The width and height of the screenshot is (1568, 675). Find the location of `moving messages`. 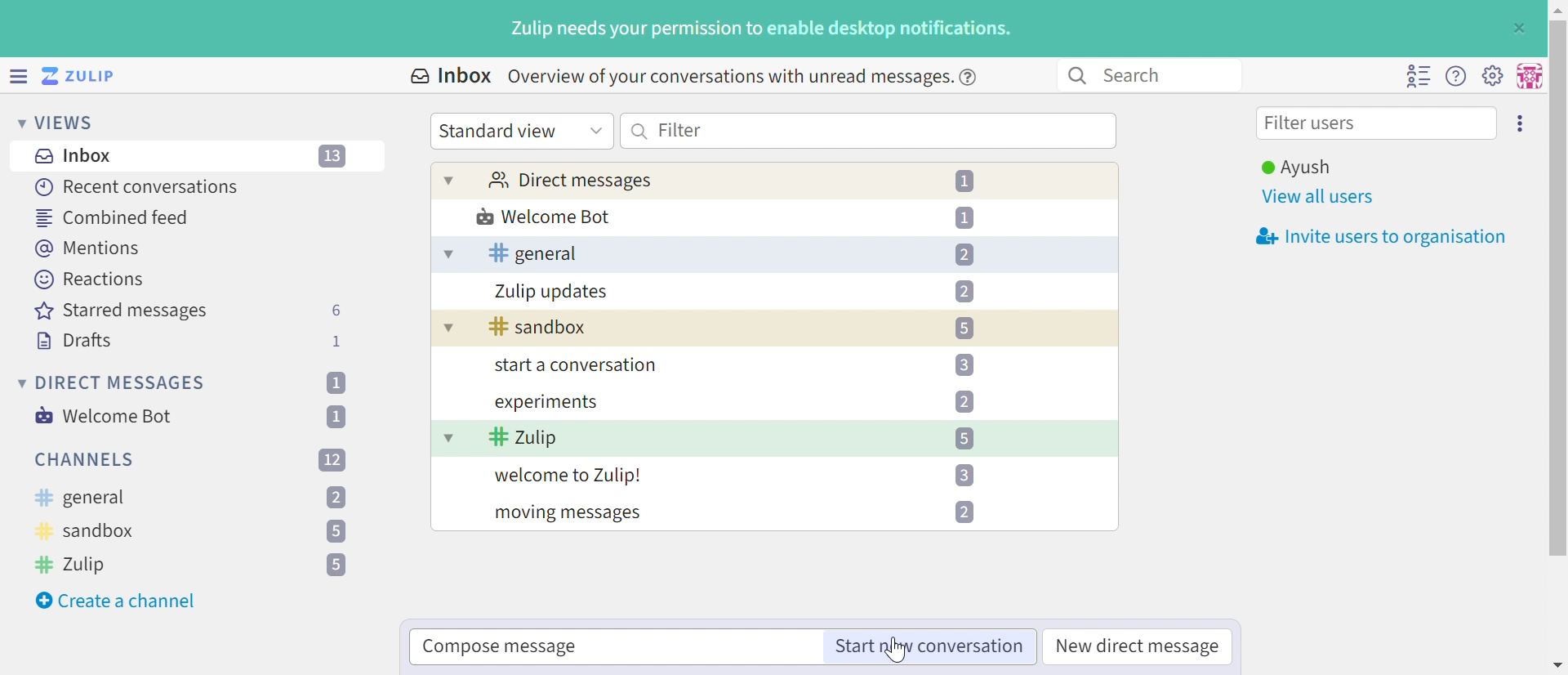

moving messages is located at coordinates (567, 515).